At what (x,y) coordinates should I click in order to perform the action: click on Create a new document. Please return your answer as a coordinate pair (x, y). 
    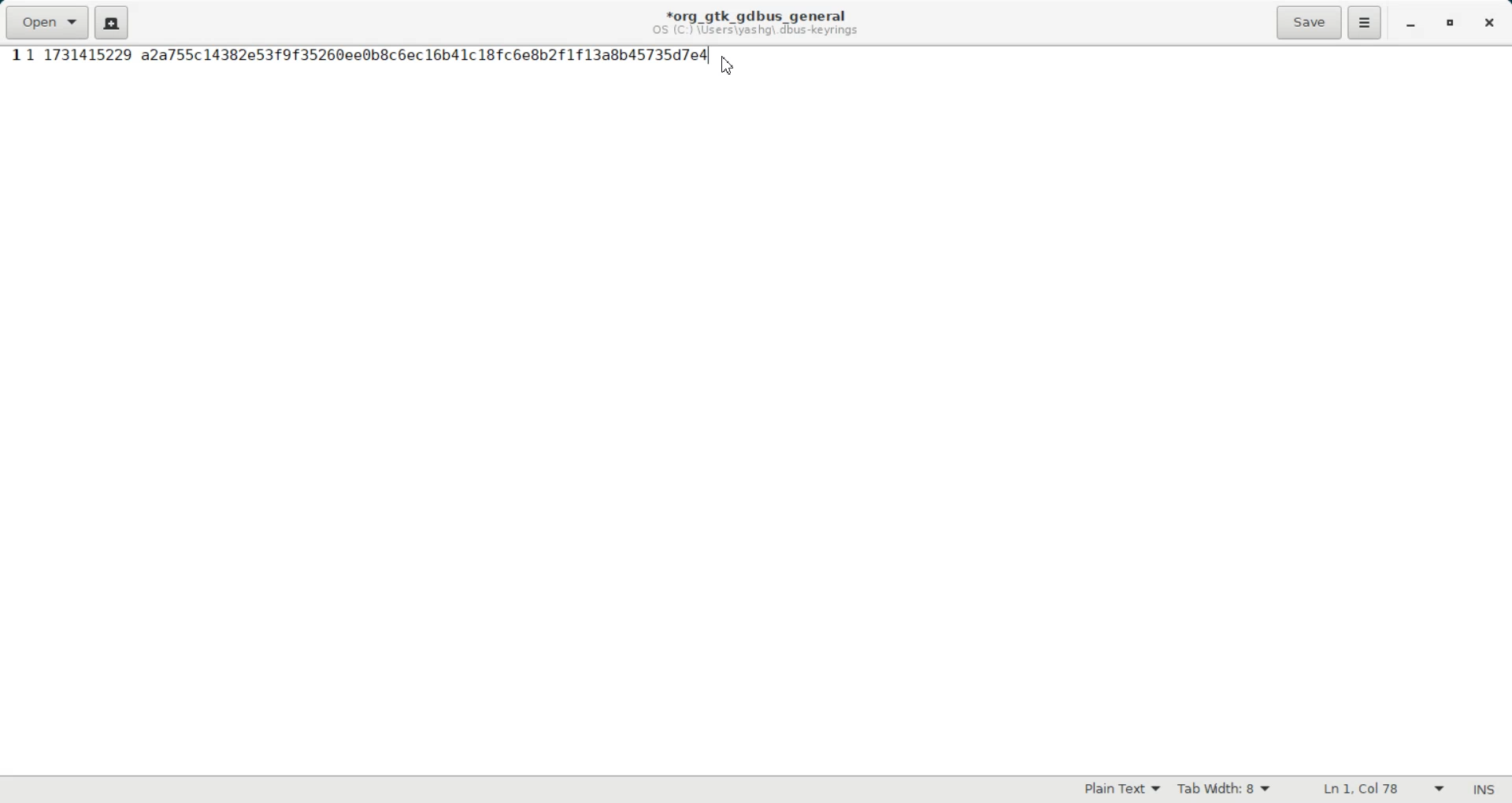
    Looking at the image, I should click on (112, 22).